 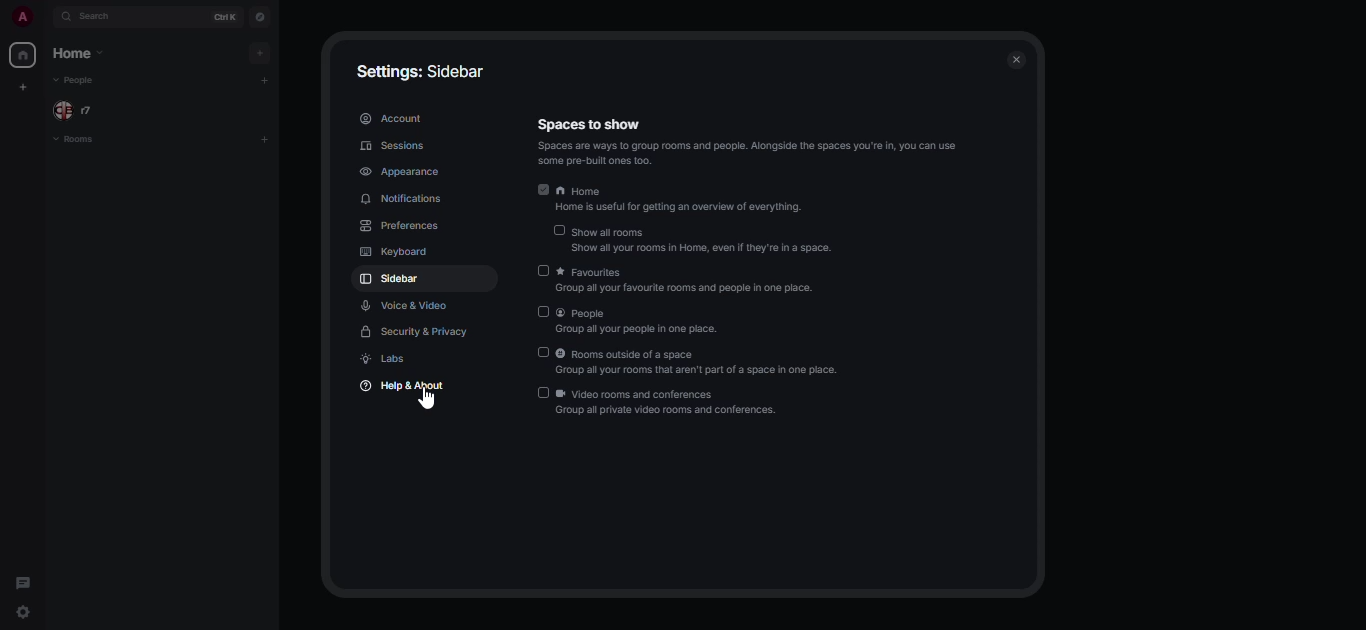 I want to click on disabled, so click(x=544, y=271).